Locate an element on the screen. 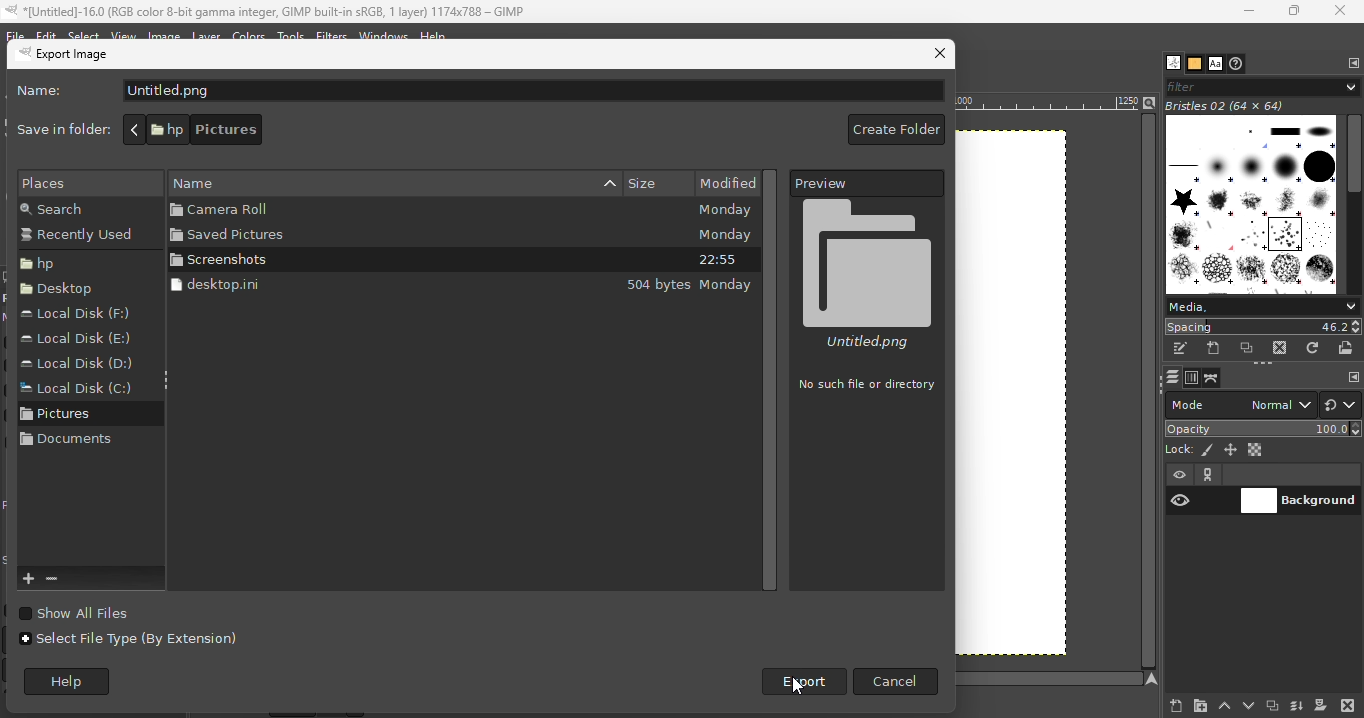 Image resolution: width=1364 pixels, height=718 pixels. Untitled.png is located at coordinates (532, 91).